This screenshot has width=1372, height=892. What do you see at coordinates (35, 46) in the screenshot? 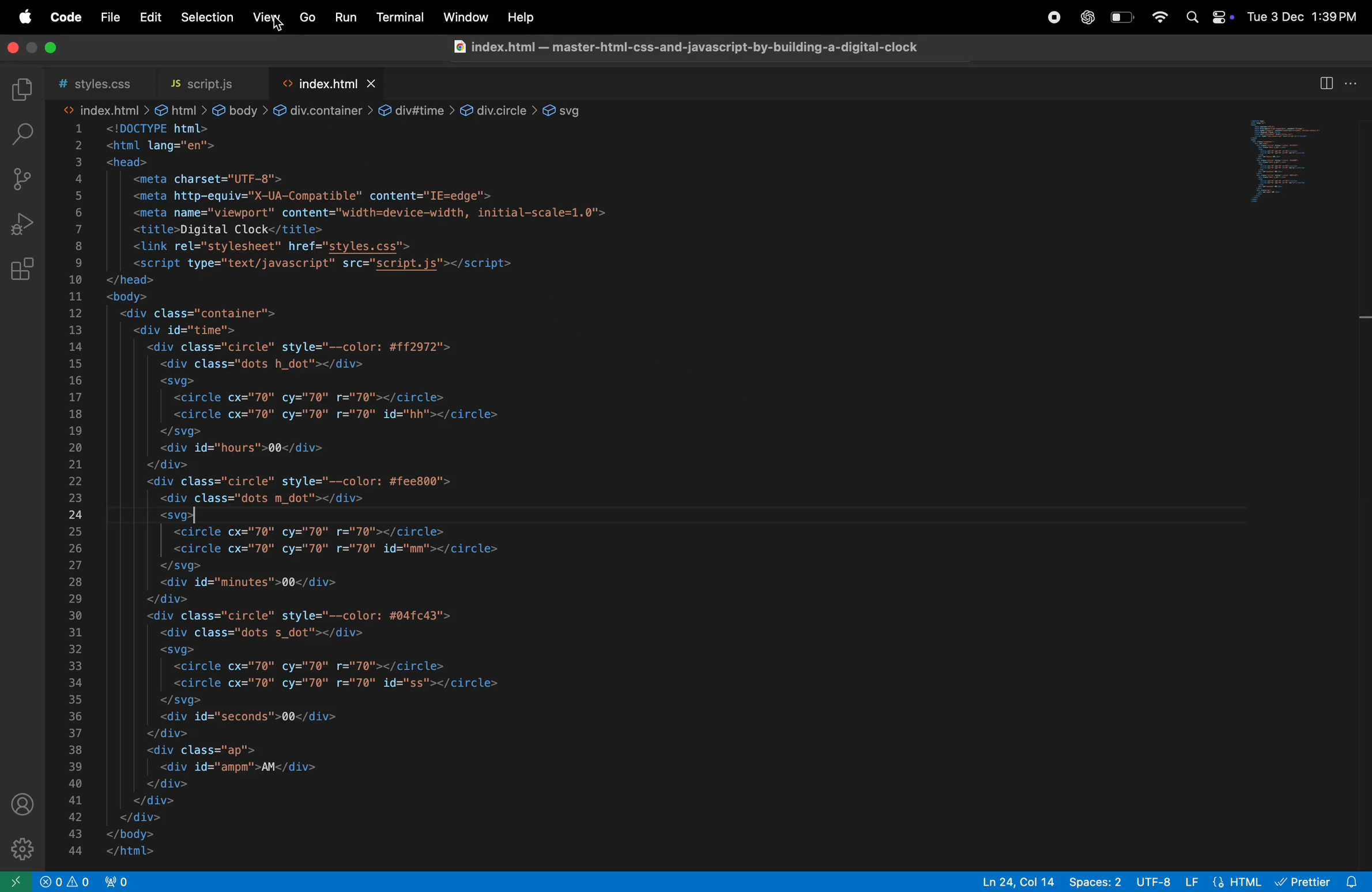
I see `toggle screen` at bounding box center [35, 46].